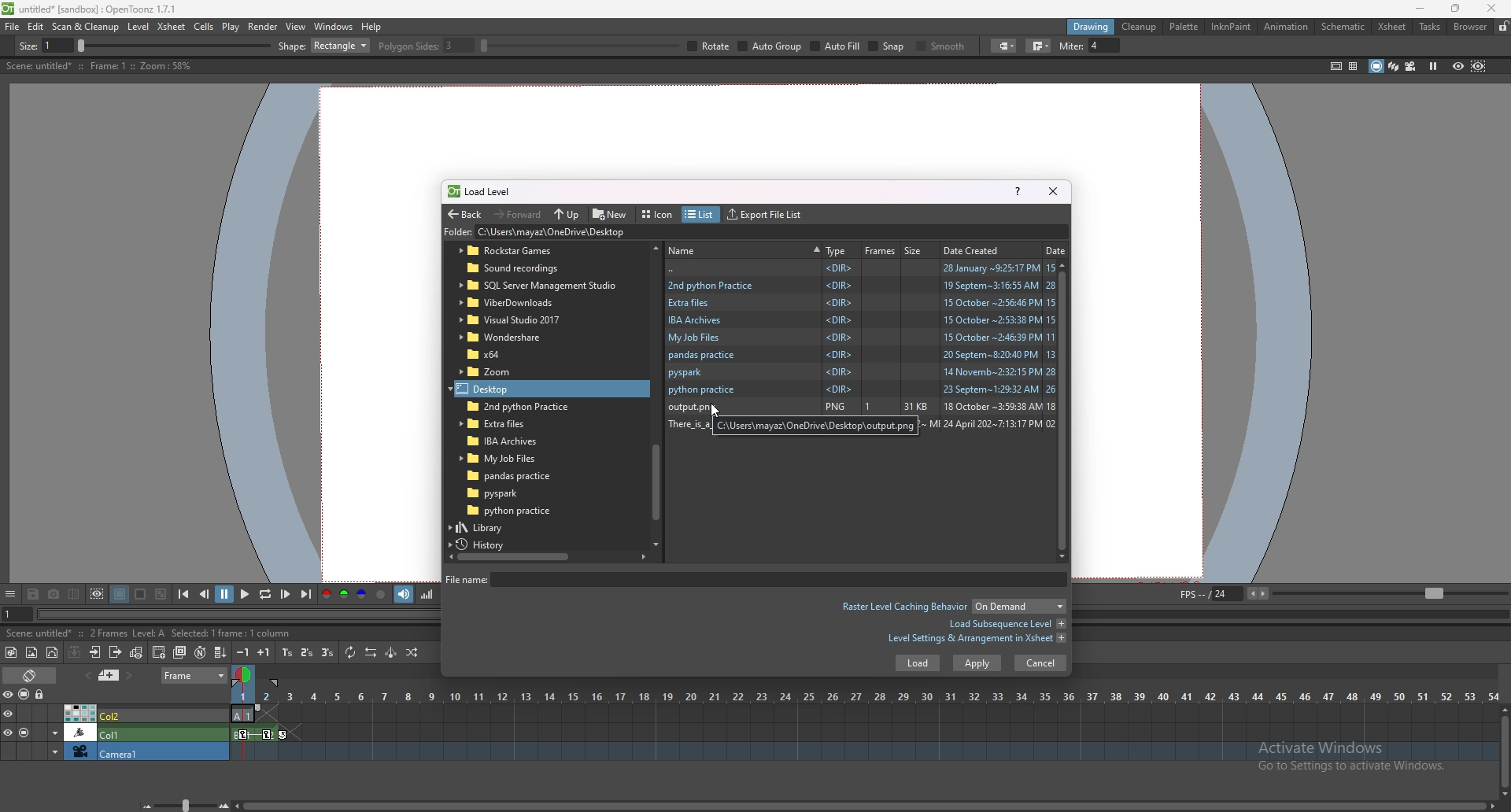 The image size is (1511, 812). I want to click on folder, so click(527, 251).